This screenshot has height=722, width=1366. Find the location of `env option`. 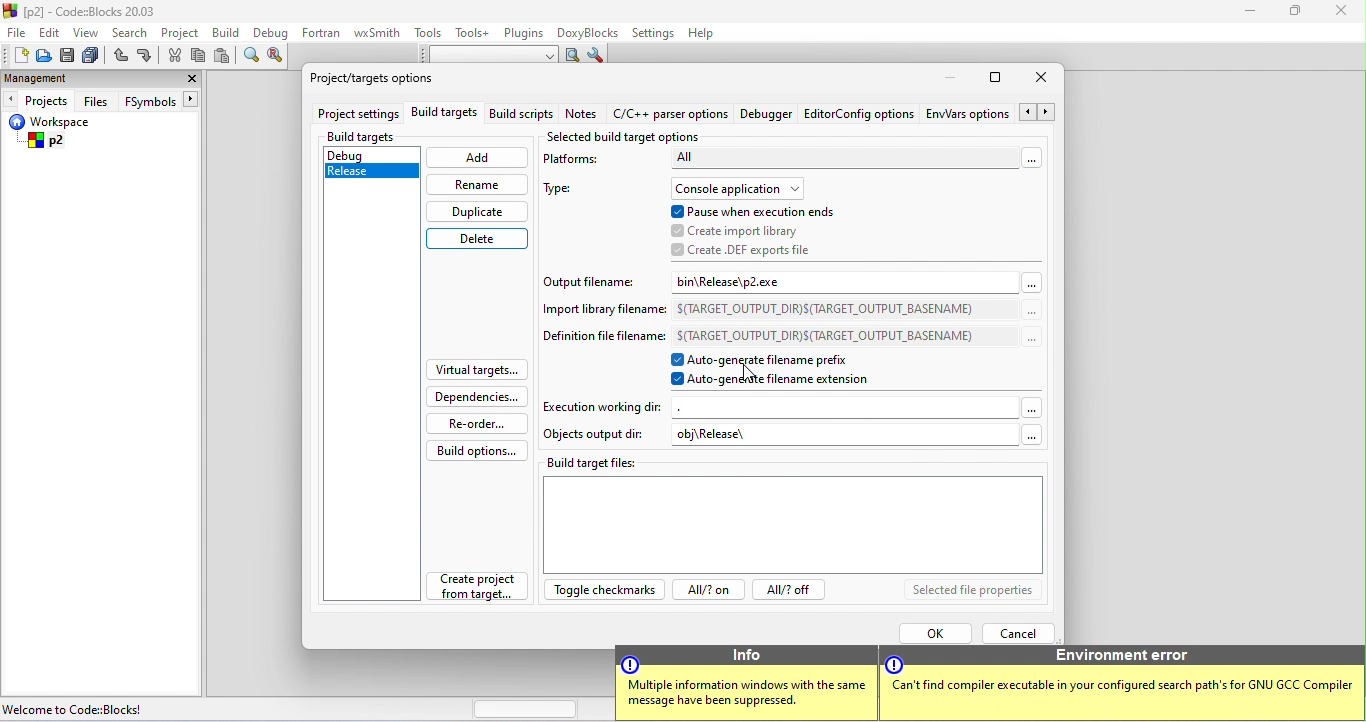

env option is located at coordinates (989, 115).